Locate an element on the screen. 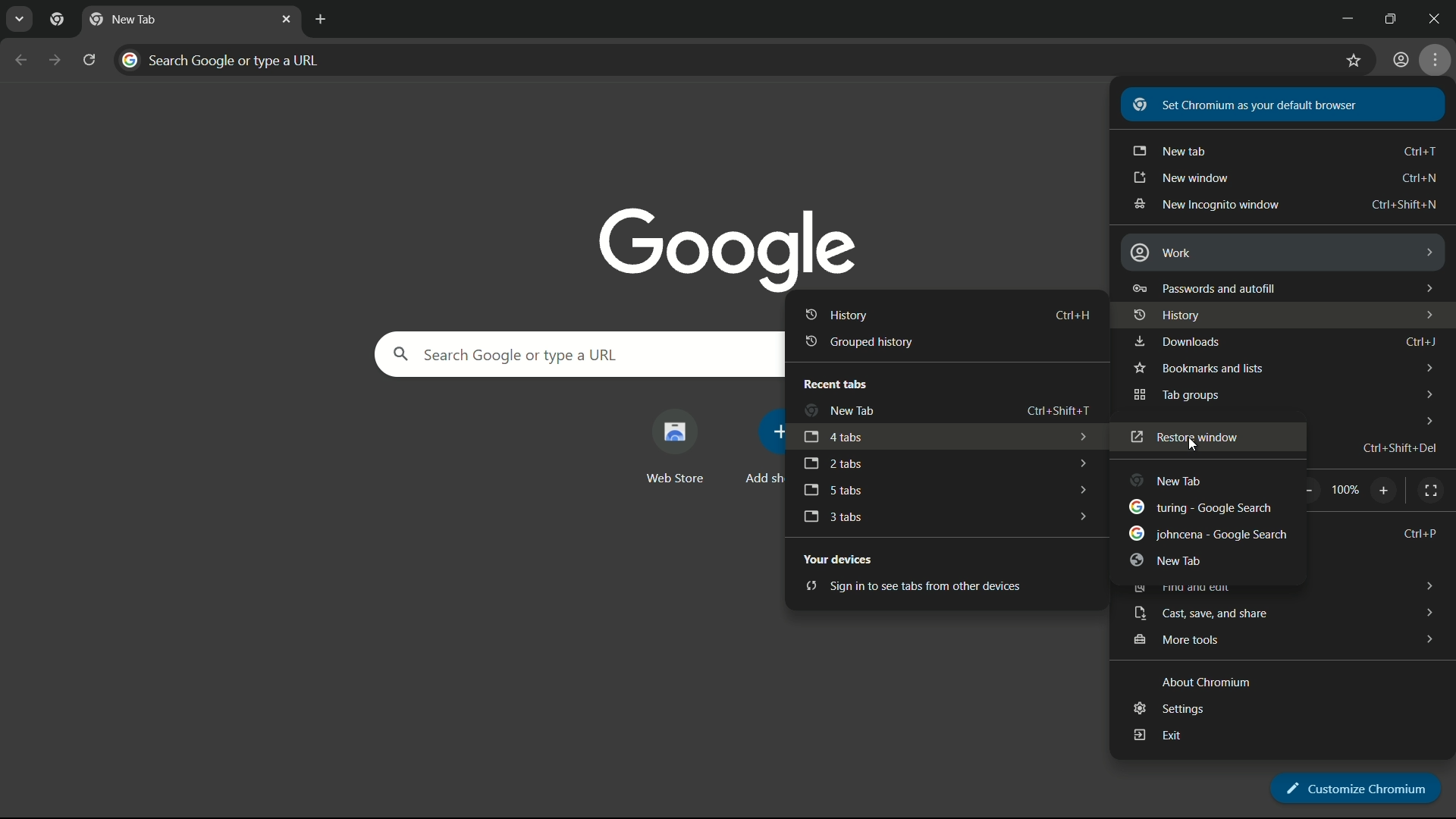 Image resolution: width=1456 pixels, height=819 pixels. new window is located at coordinates (1181, 178).